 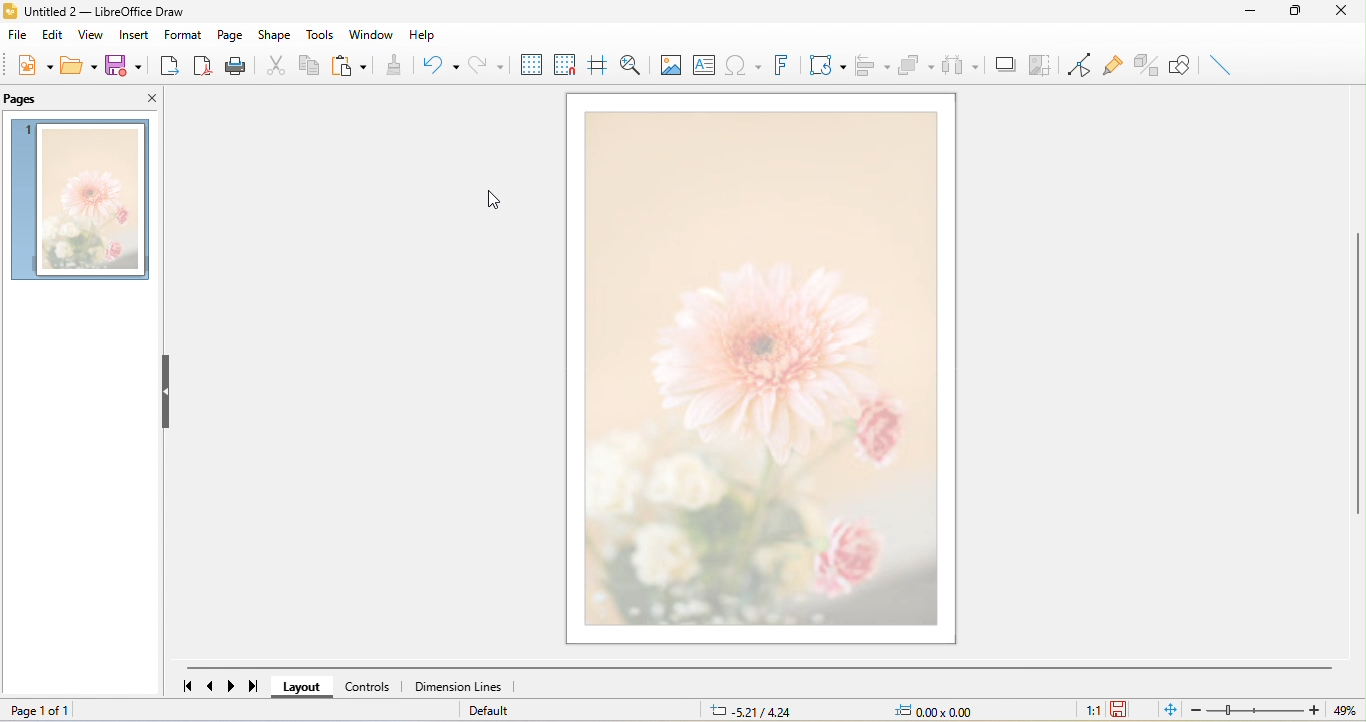 What do you see at coordinates (235, 65) in the screenshot?
I see `print` at bounding box center [235, 65].